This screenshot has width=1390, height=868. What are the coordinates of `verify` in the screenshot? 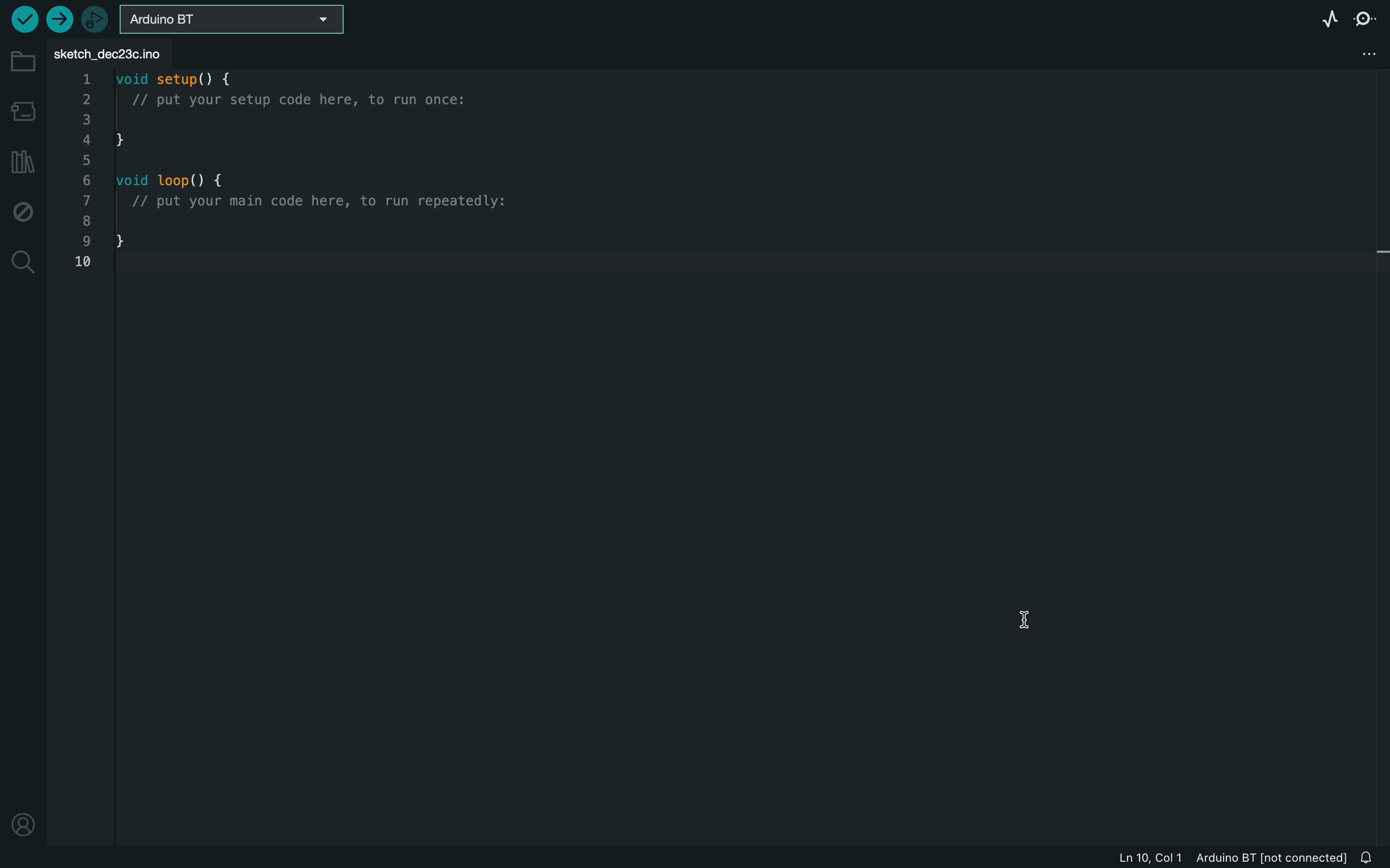 It's located at (22, 19).